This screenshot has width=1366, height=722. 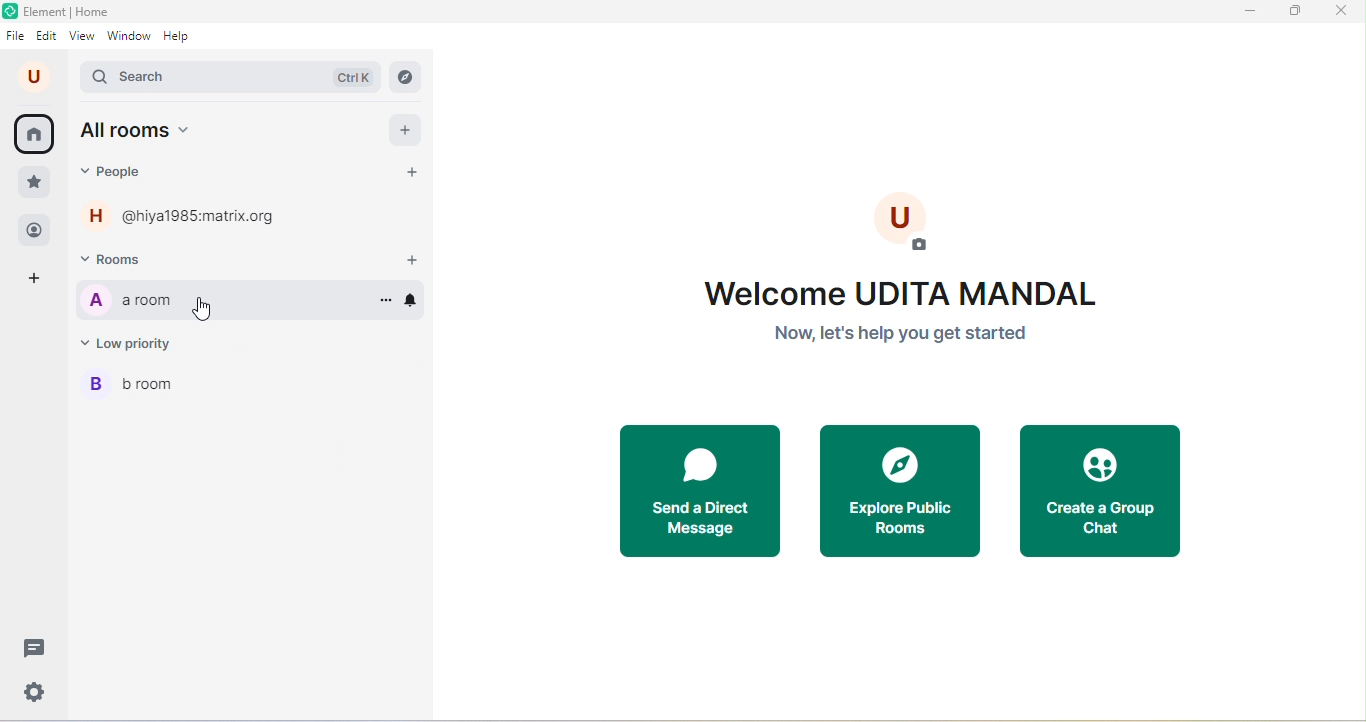 I want to click on send a direct message, so click(x=701, y=491).